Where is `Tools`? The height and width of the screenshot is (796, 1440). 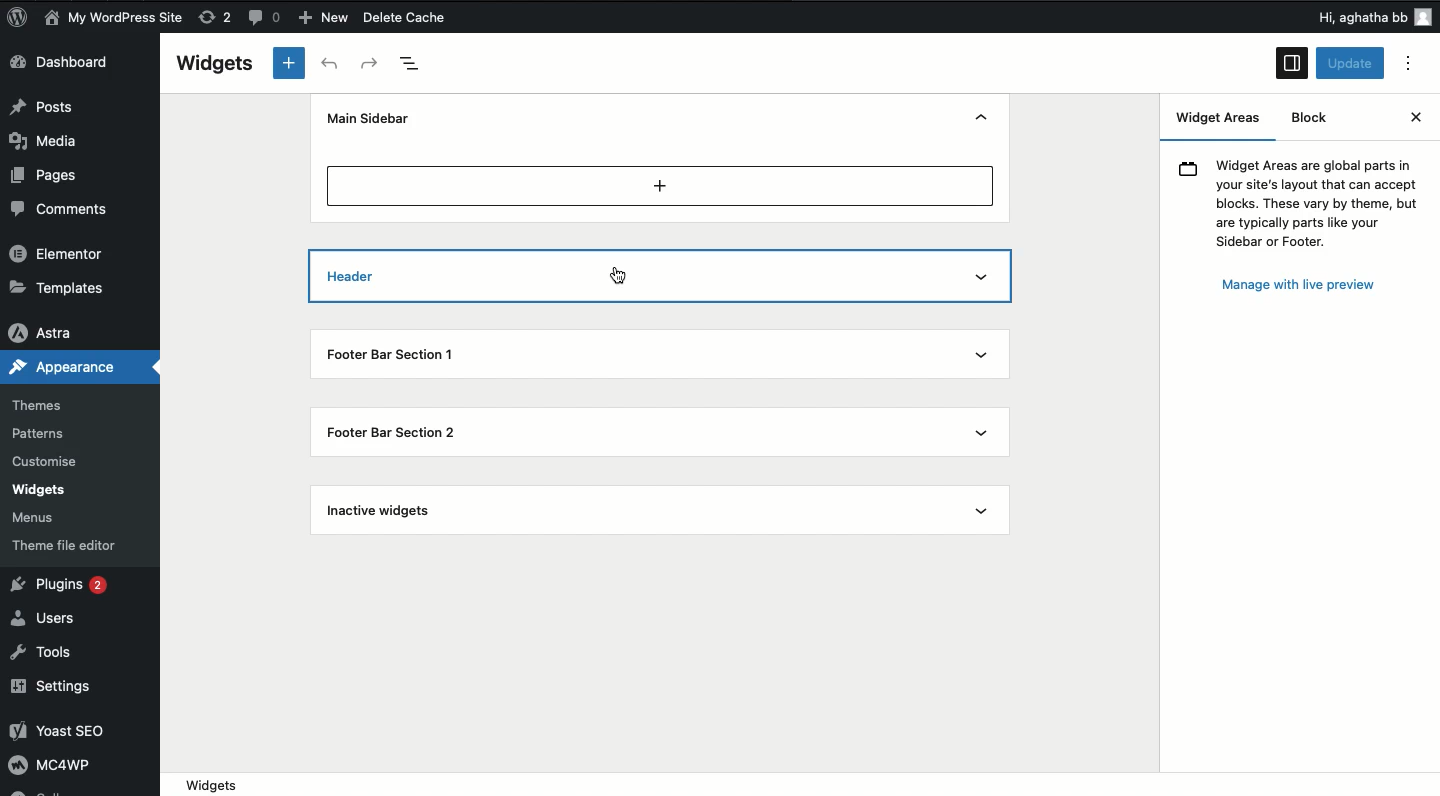 Tools is located at coordinates (50, 653).